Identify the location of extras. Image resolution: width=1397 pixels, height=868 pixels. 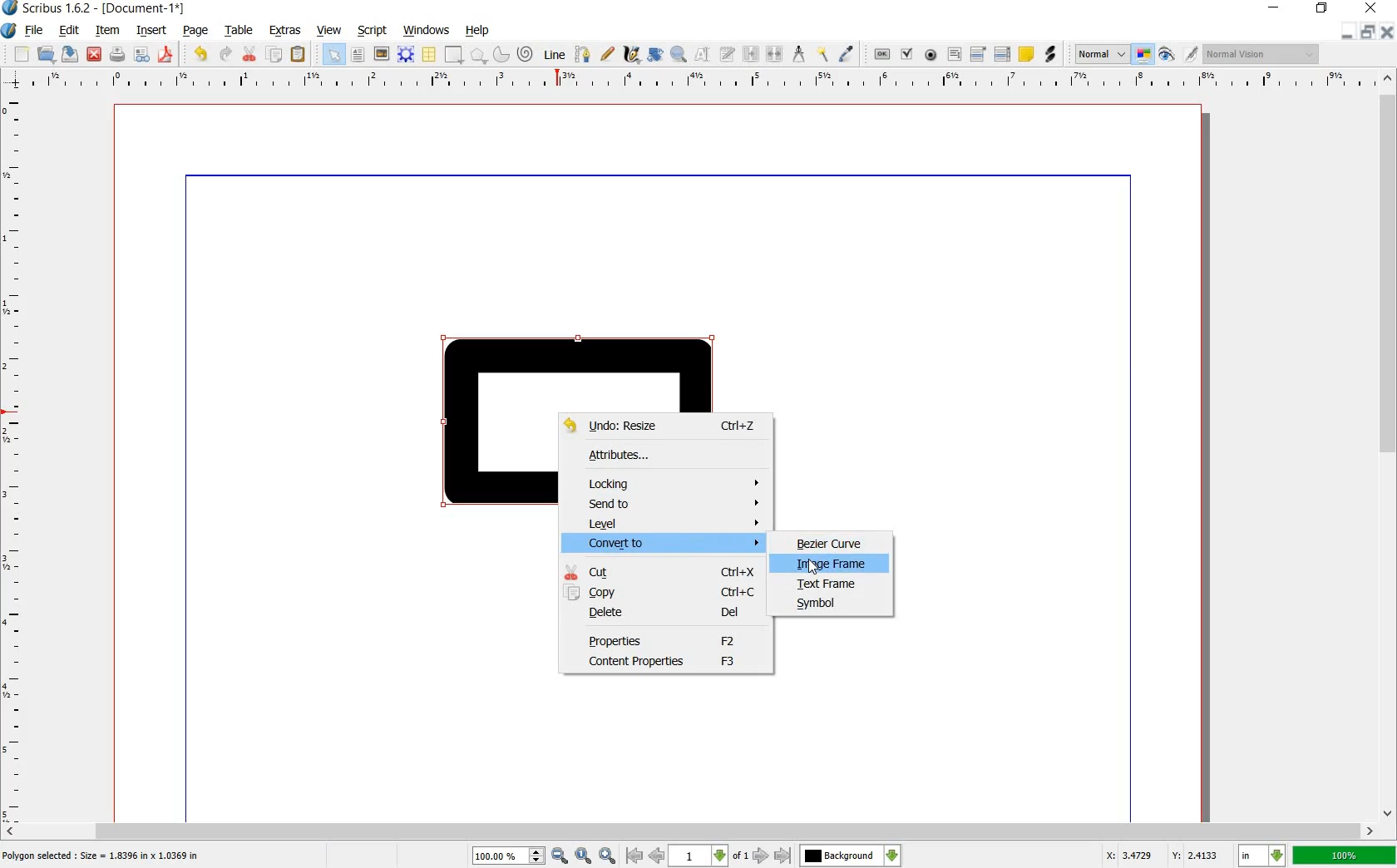
(285, 30).